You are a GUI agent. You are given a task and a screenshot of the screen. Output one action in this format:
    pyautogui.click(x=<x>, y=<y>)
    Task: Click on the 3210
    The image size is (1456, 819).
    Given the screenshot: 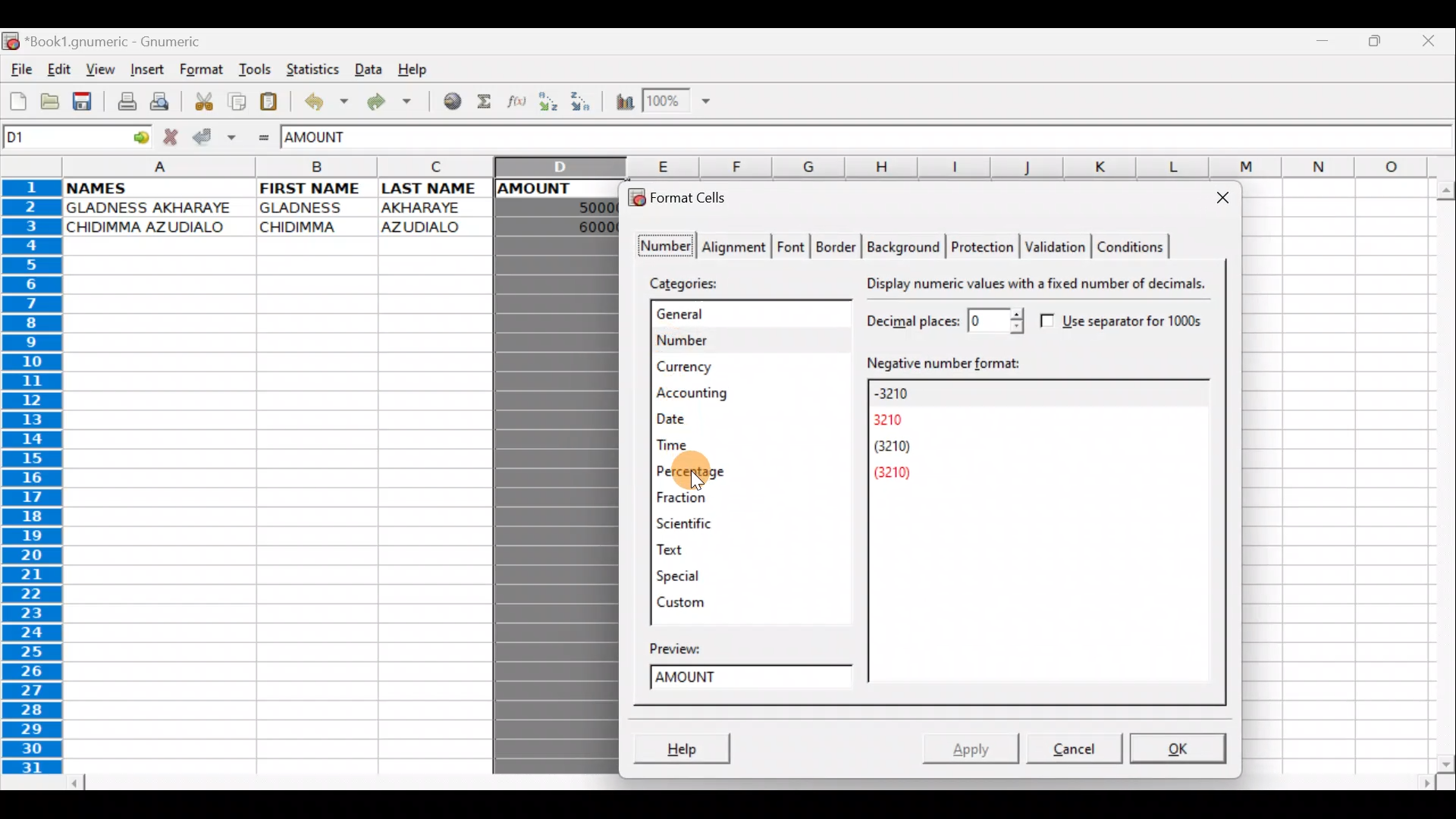 What is the action you would take?
    pyautogui.click(x=899, y=420)
    